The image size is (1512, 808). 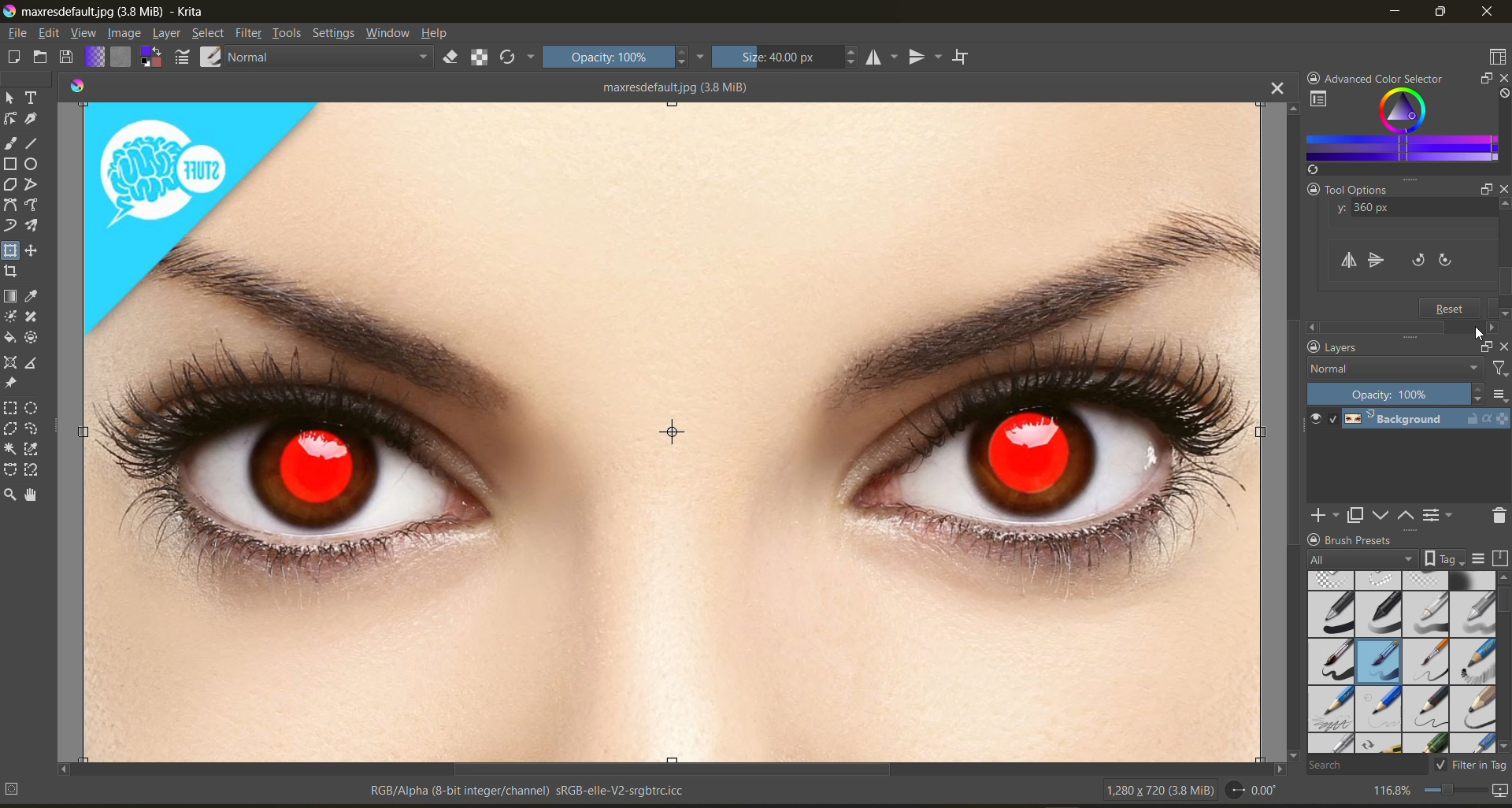 I want to click on tool, so click(x=9, y=317).